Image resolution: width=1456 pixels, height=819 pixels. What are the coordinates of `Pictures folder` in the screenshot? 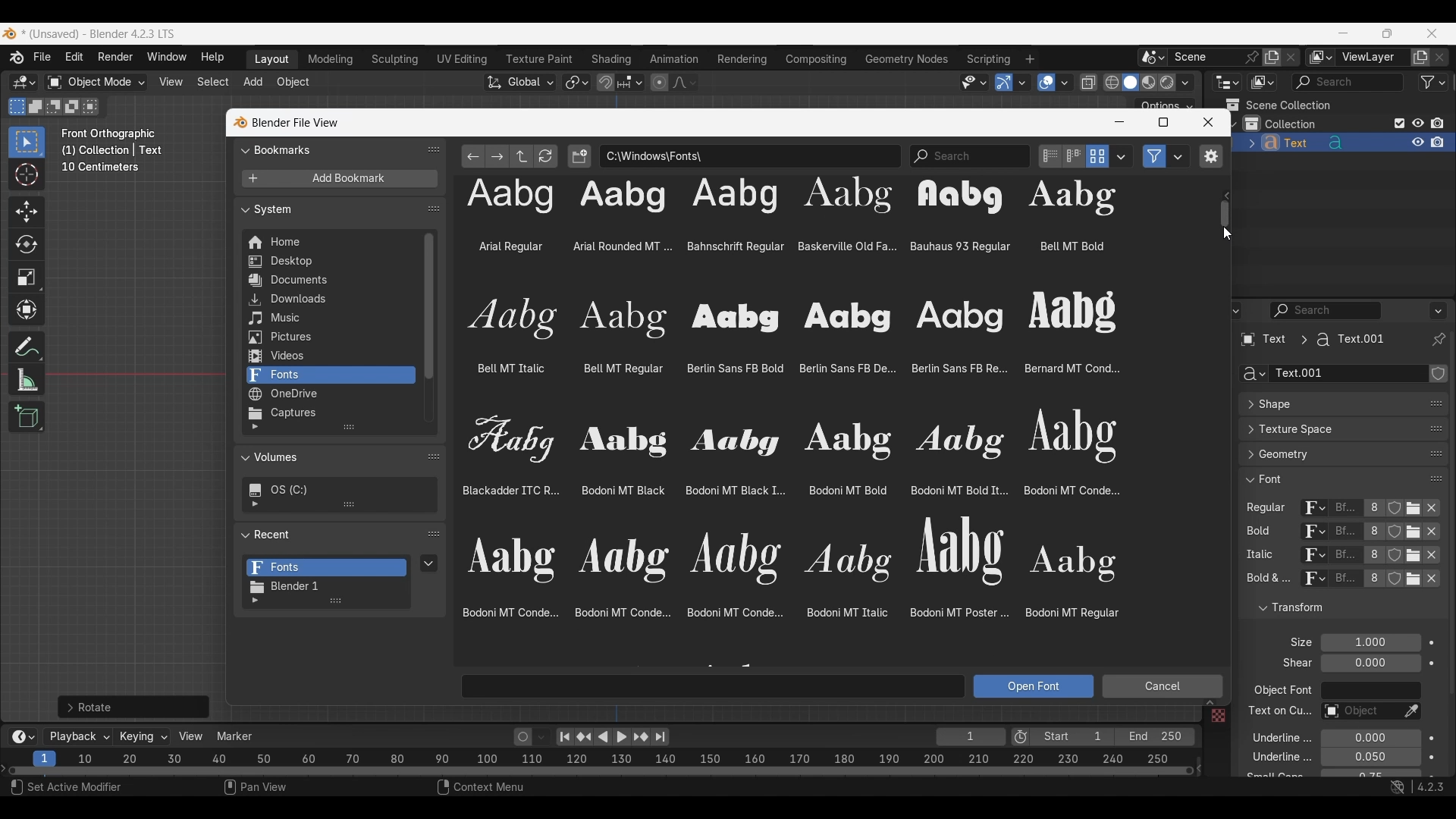 It's located at (329, 337).